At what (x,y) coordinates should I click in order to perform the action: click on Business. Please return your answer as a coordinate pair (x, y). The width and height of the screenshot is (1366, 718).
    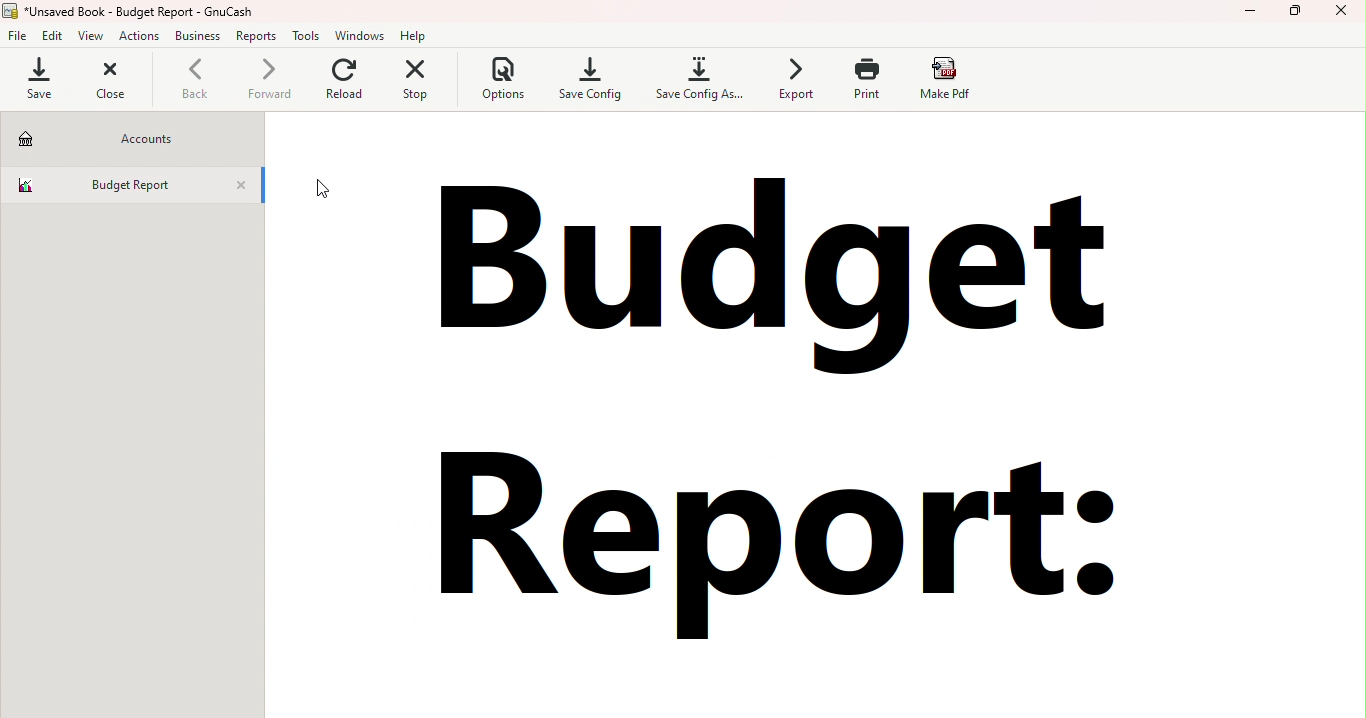
    Looking at the image, I should click on (198, 37).